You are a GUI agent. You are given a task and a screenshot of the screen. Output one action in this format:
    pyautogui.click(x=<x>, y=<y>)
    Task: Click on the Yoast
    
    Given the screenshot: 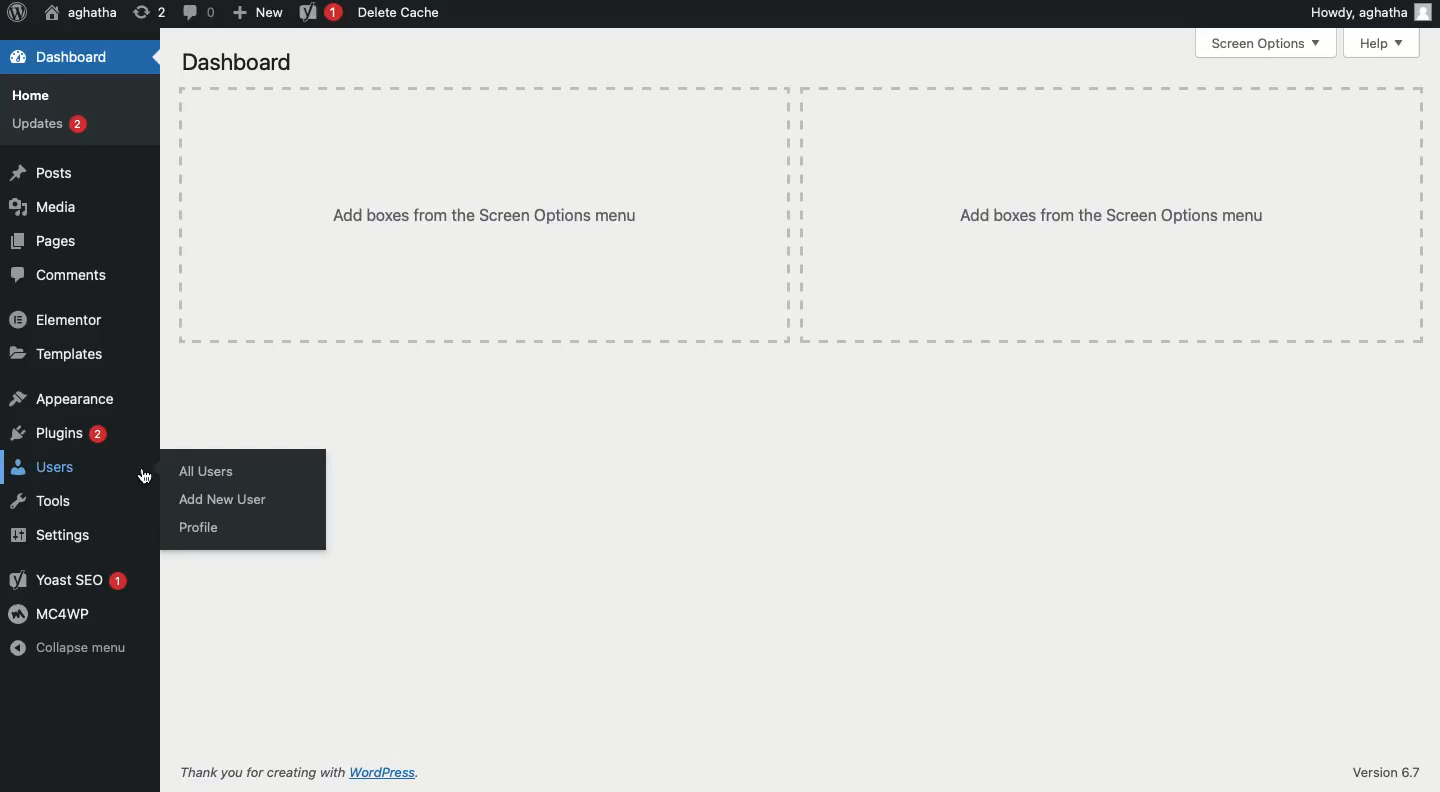 What is the action you would take?
    pyautogui.click(x=321, y=14)
    